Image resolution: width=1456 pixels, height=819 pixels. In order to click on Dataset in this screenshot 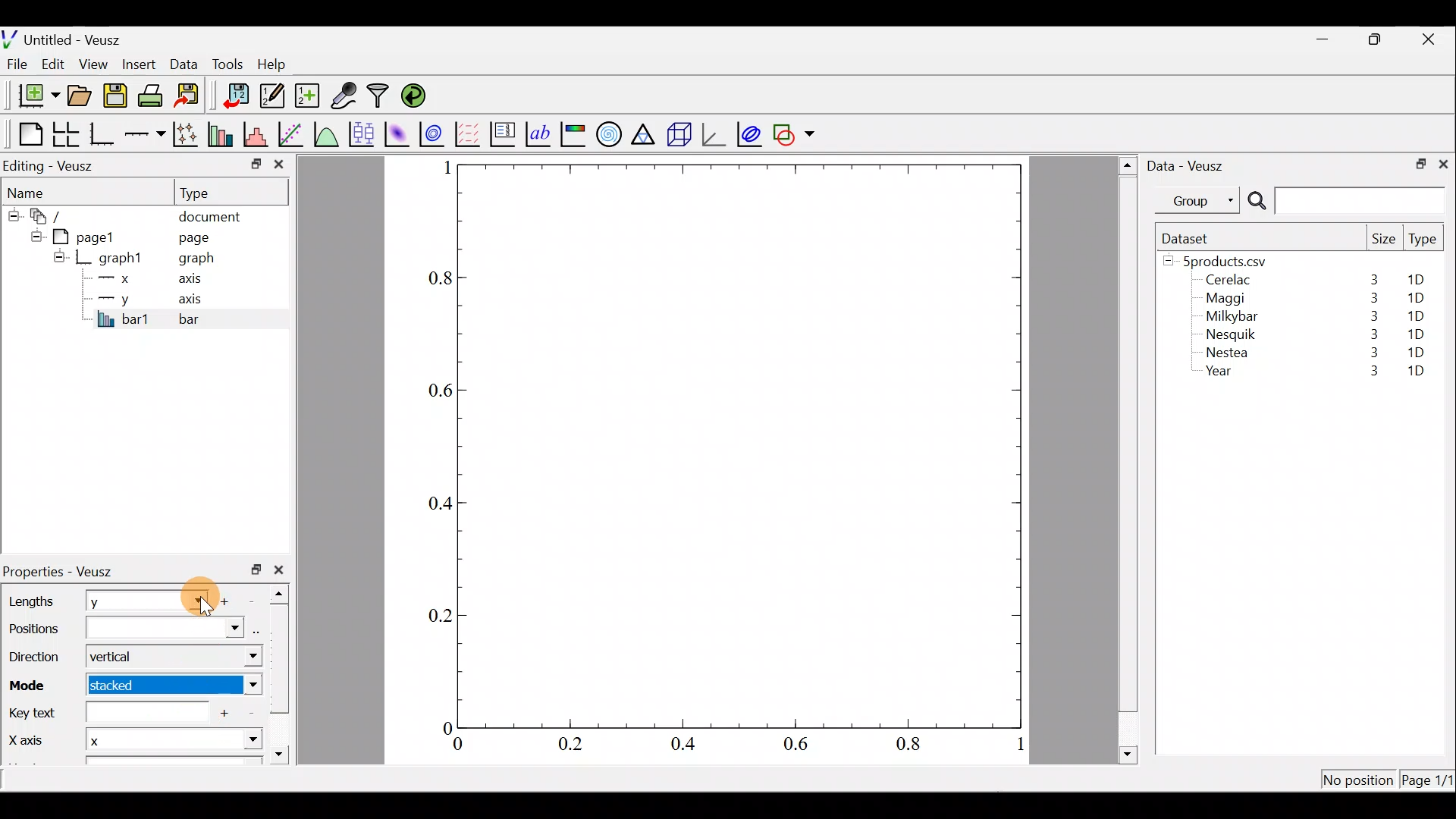, I will do `click(1191, 238)`.